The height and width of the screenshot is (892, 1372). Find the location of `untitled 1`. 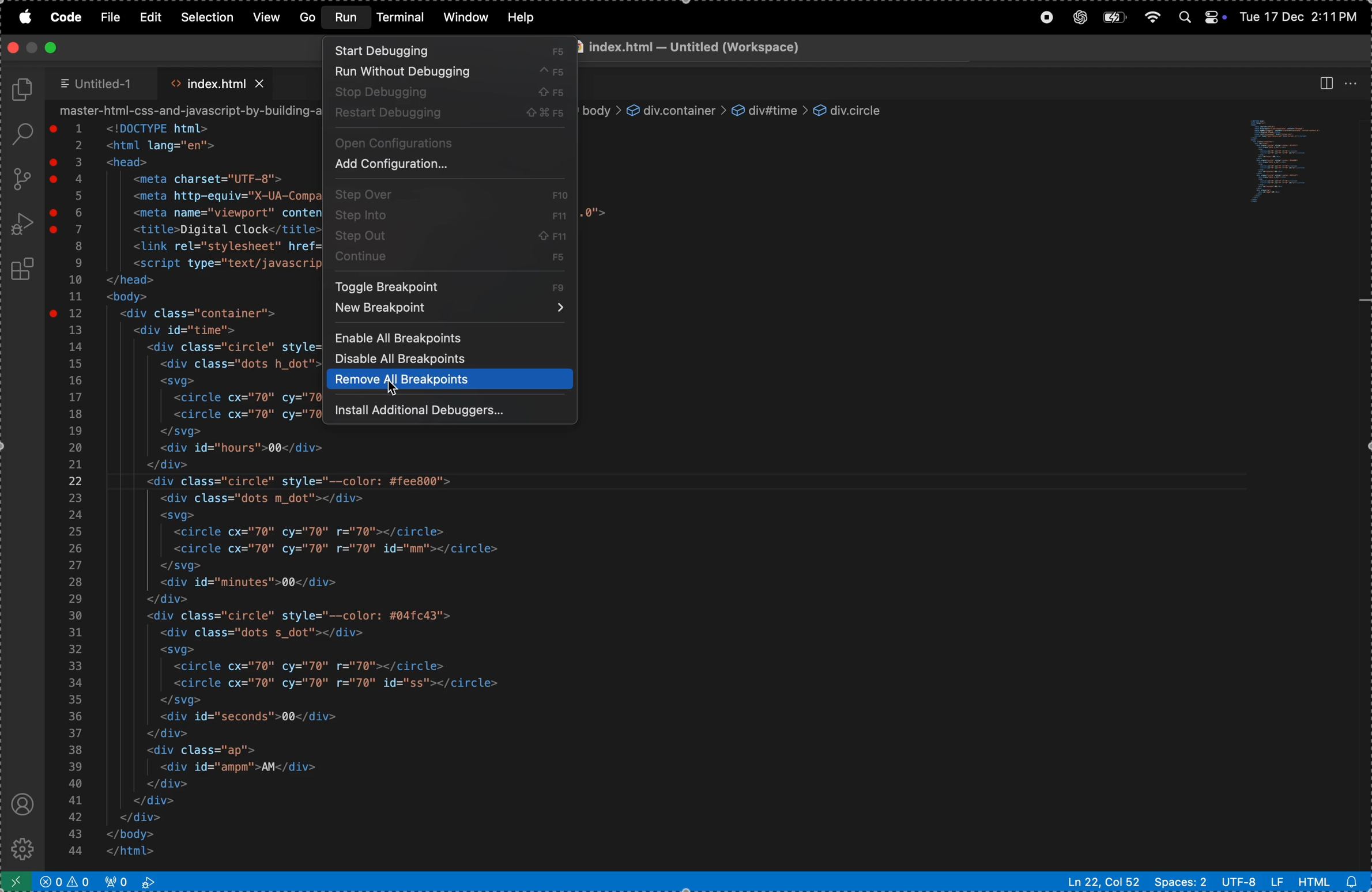

untitled 1 is located at coordinates (101, 84).